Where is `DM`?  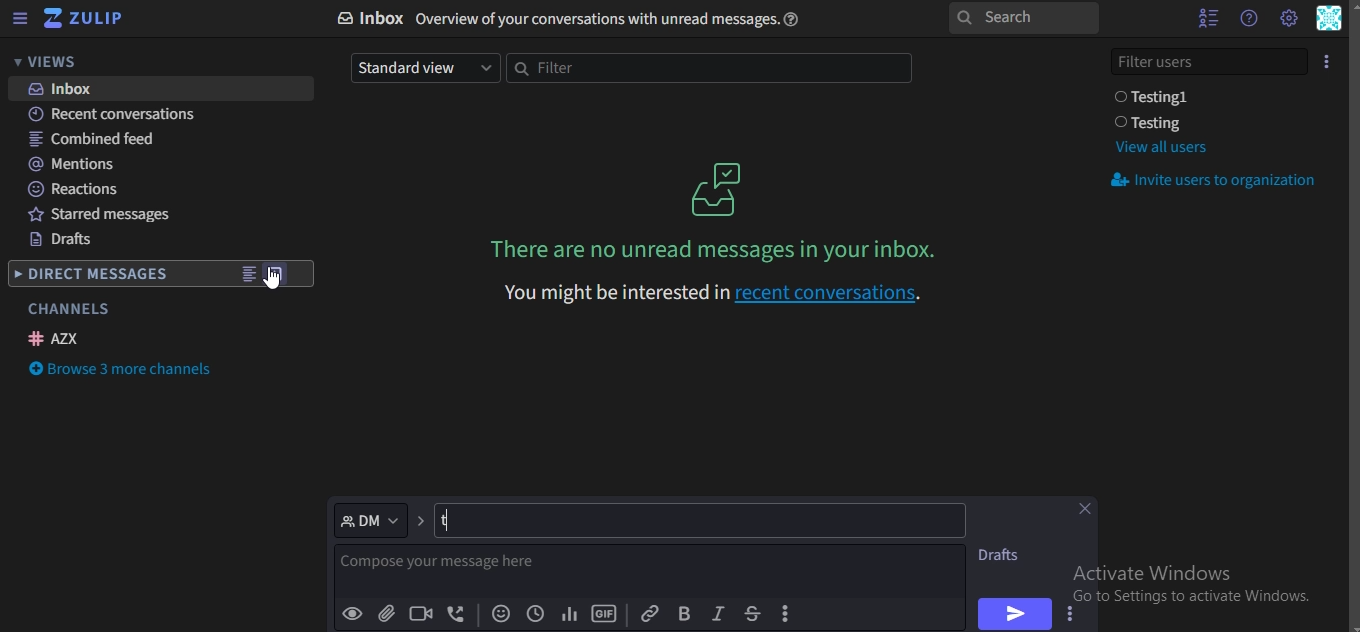
DM is located at coordinates (371, 519).